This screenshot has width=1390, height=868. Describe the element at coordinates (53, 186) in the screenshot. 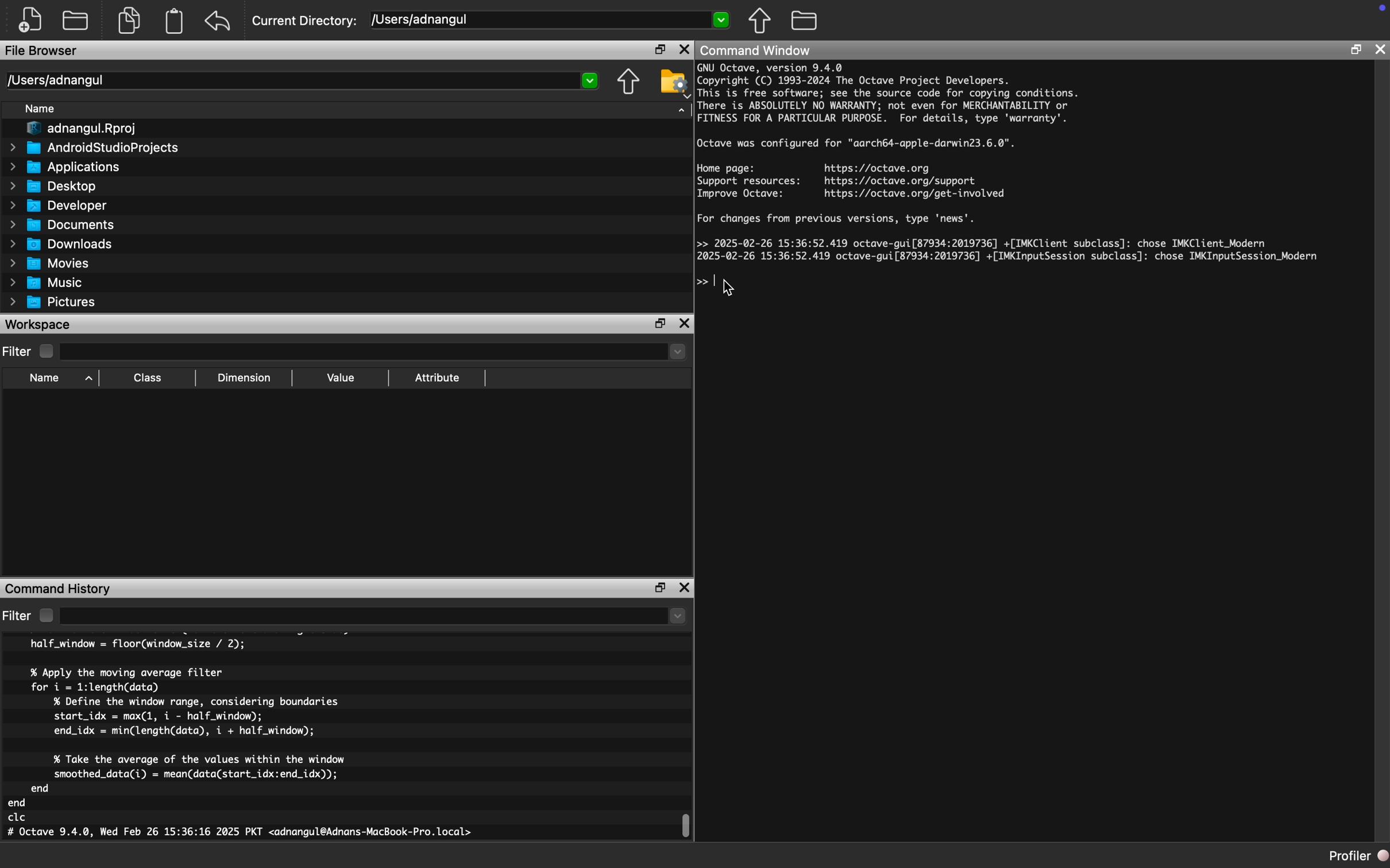

I see `Desktop` at that location.